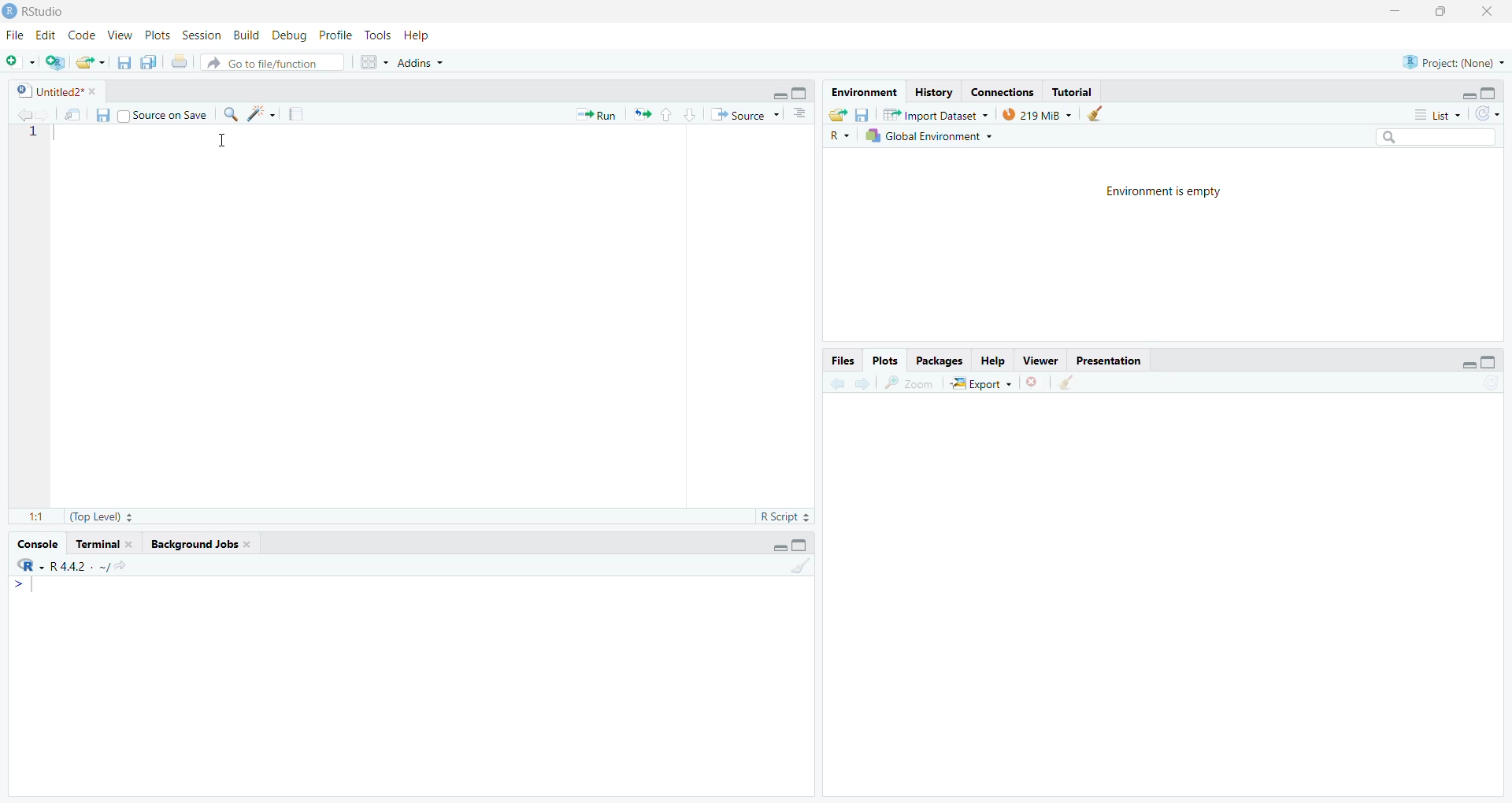 The width and height of the screenshot is (1512, 803). Describe the element at coordinates (991, 360) in the screenshot. I see `Help.` at that location.